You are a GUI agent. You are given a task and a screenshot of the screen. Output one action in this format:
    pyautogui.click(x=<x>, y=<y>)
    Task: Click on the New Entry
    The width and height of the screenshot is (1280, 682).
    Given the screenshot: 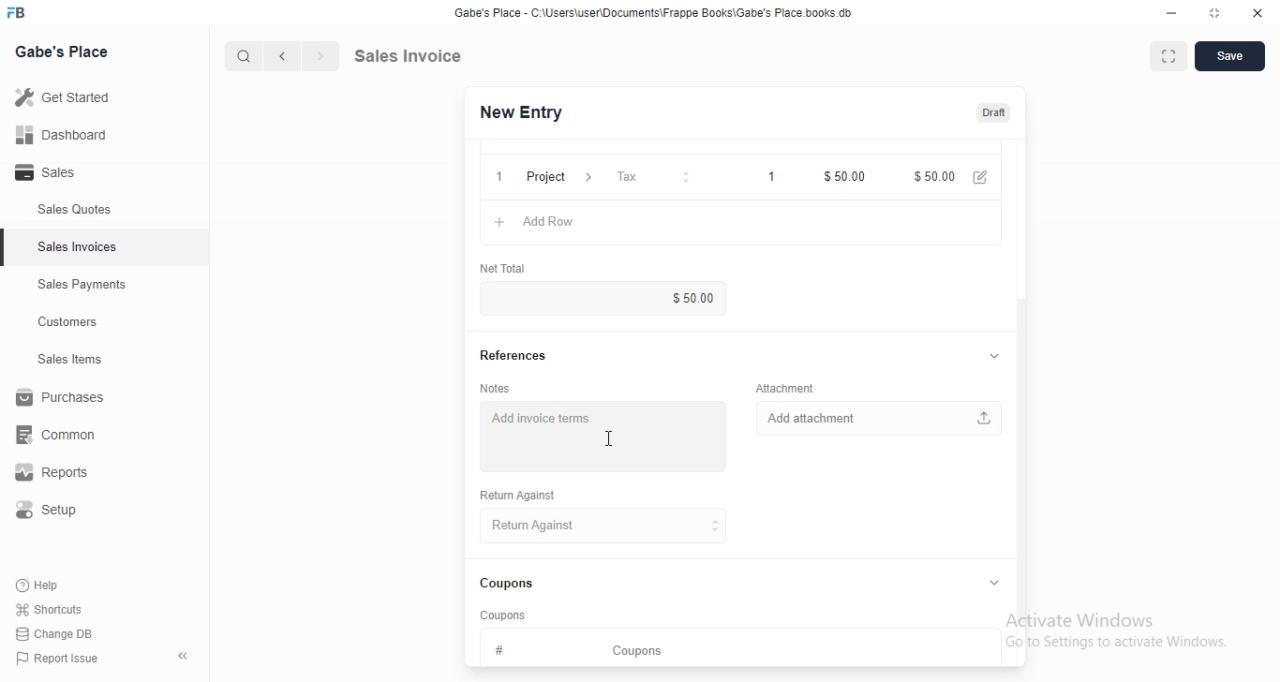 What is the action you would take?
    pyautogui.click(x=528, y=112)
    